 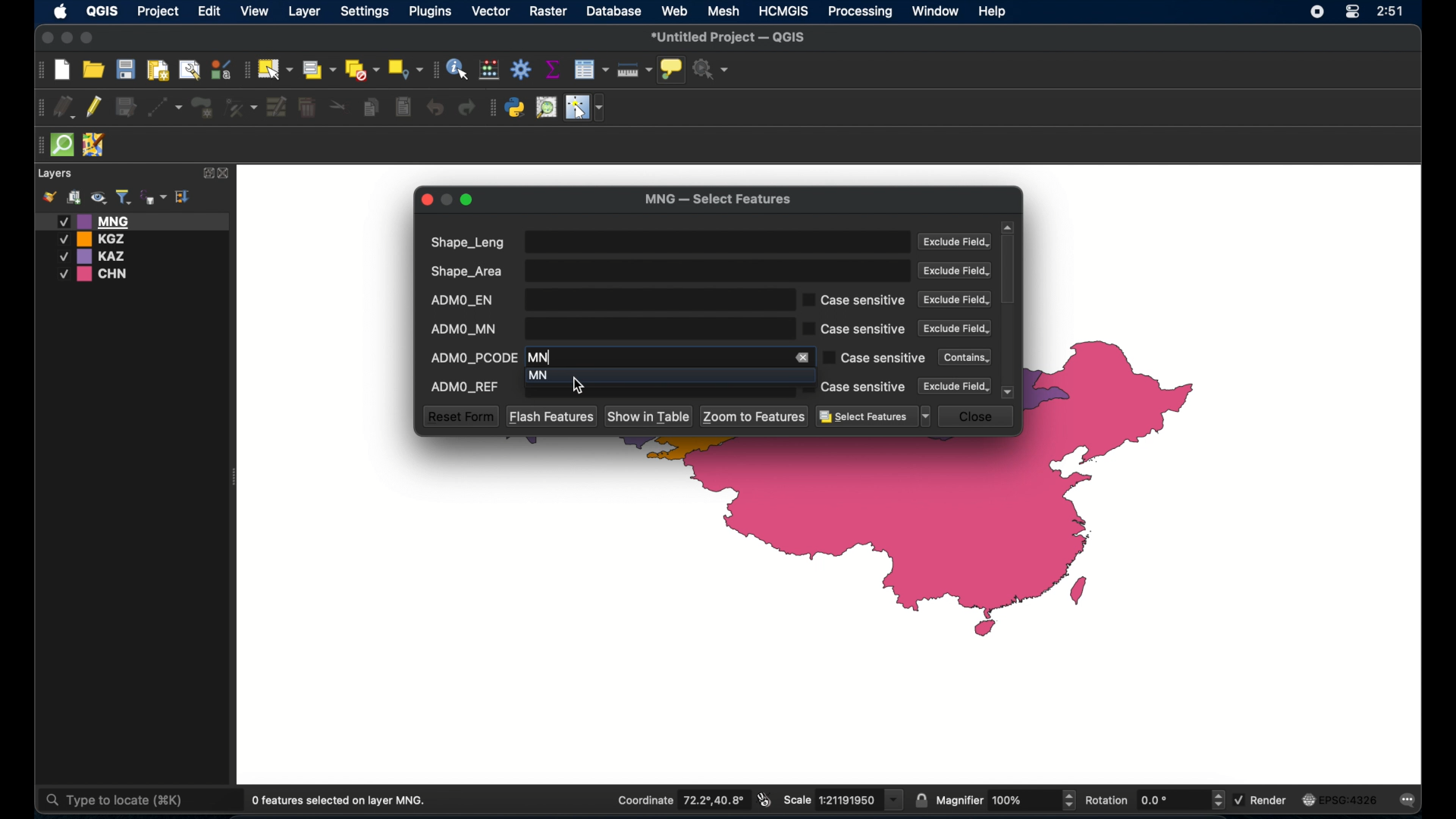 I want to click on view, so click(x=256, y=11).